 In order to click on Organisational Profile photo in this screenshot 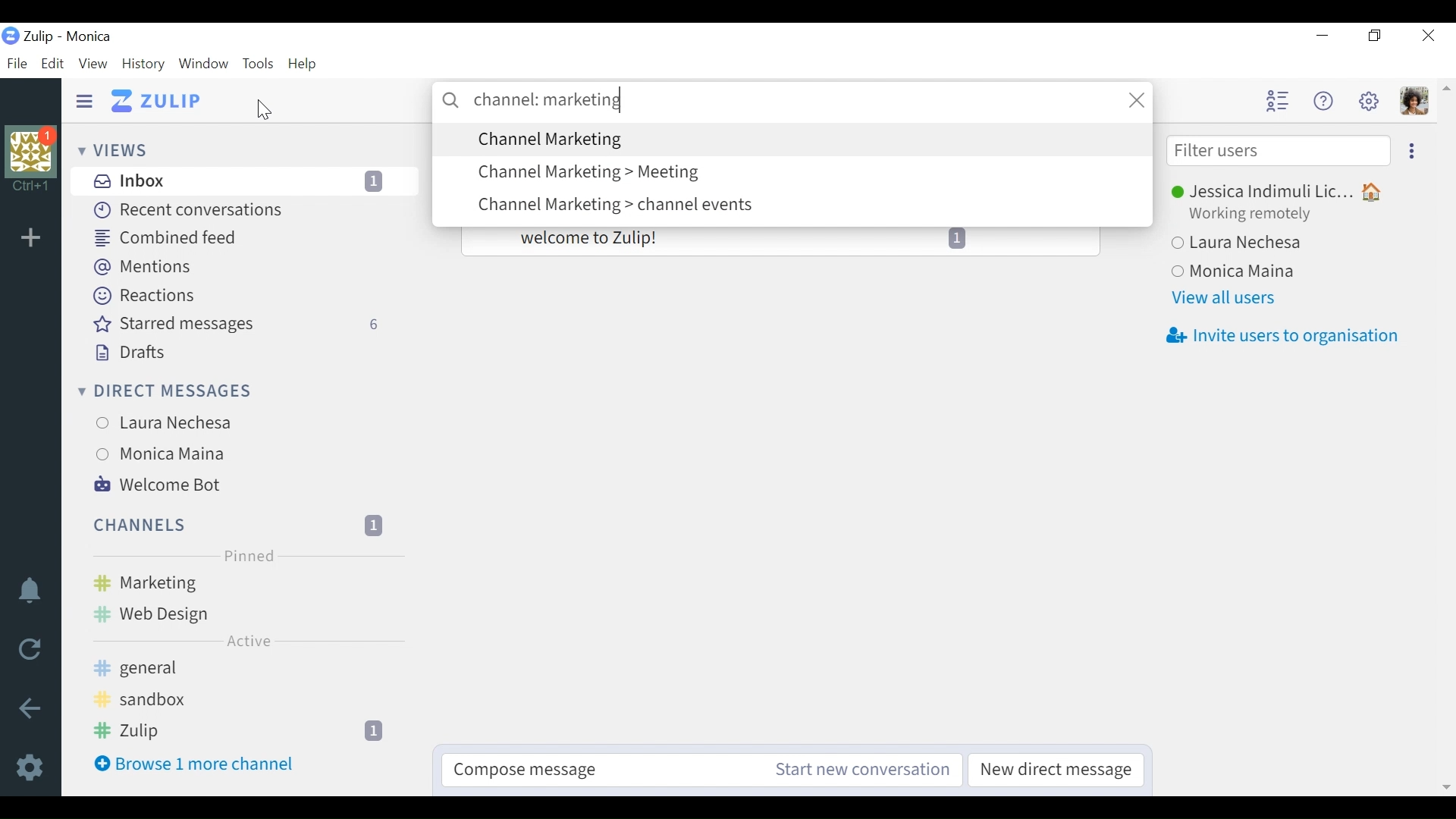, I will do `click(31, 162)`.